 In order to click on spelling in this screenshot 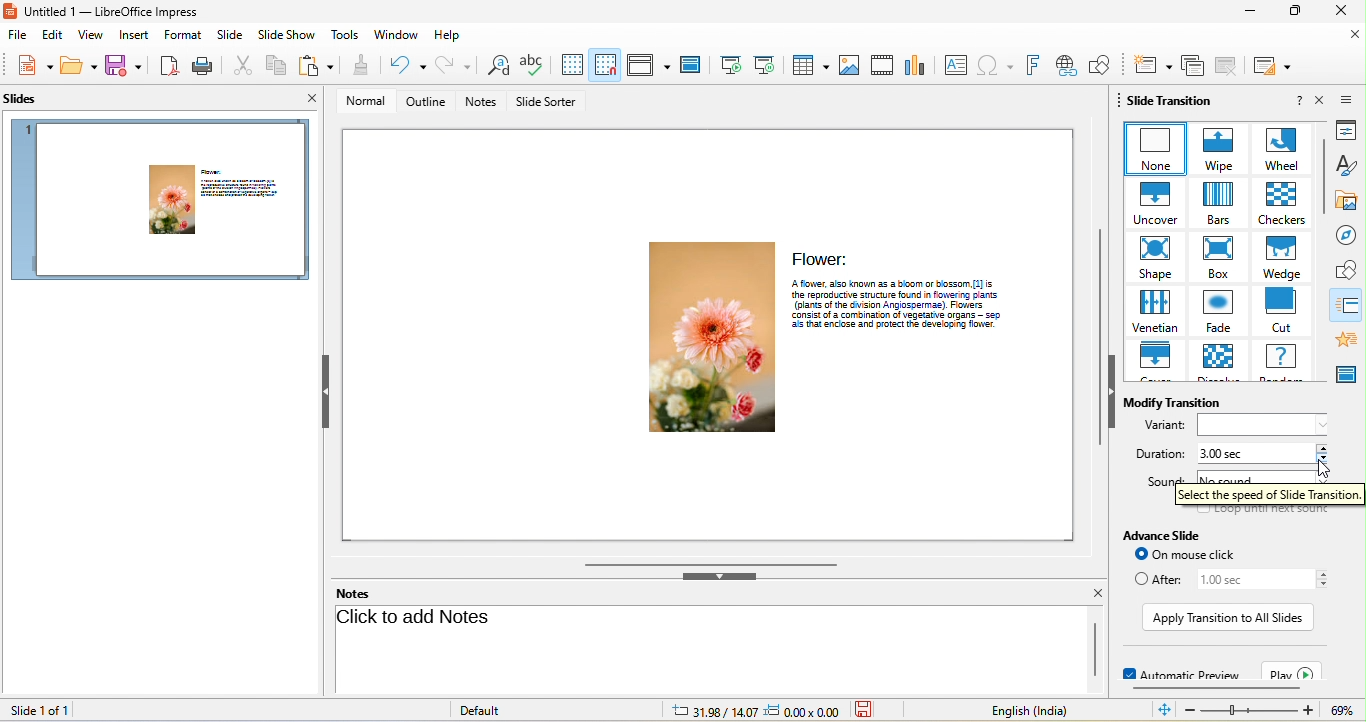, I will do `click(532, 66)`.